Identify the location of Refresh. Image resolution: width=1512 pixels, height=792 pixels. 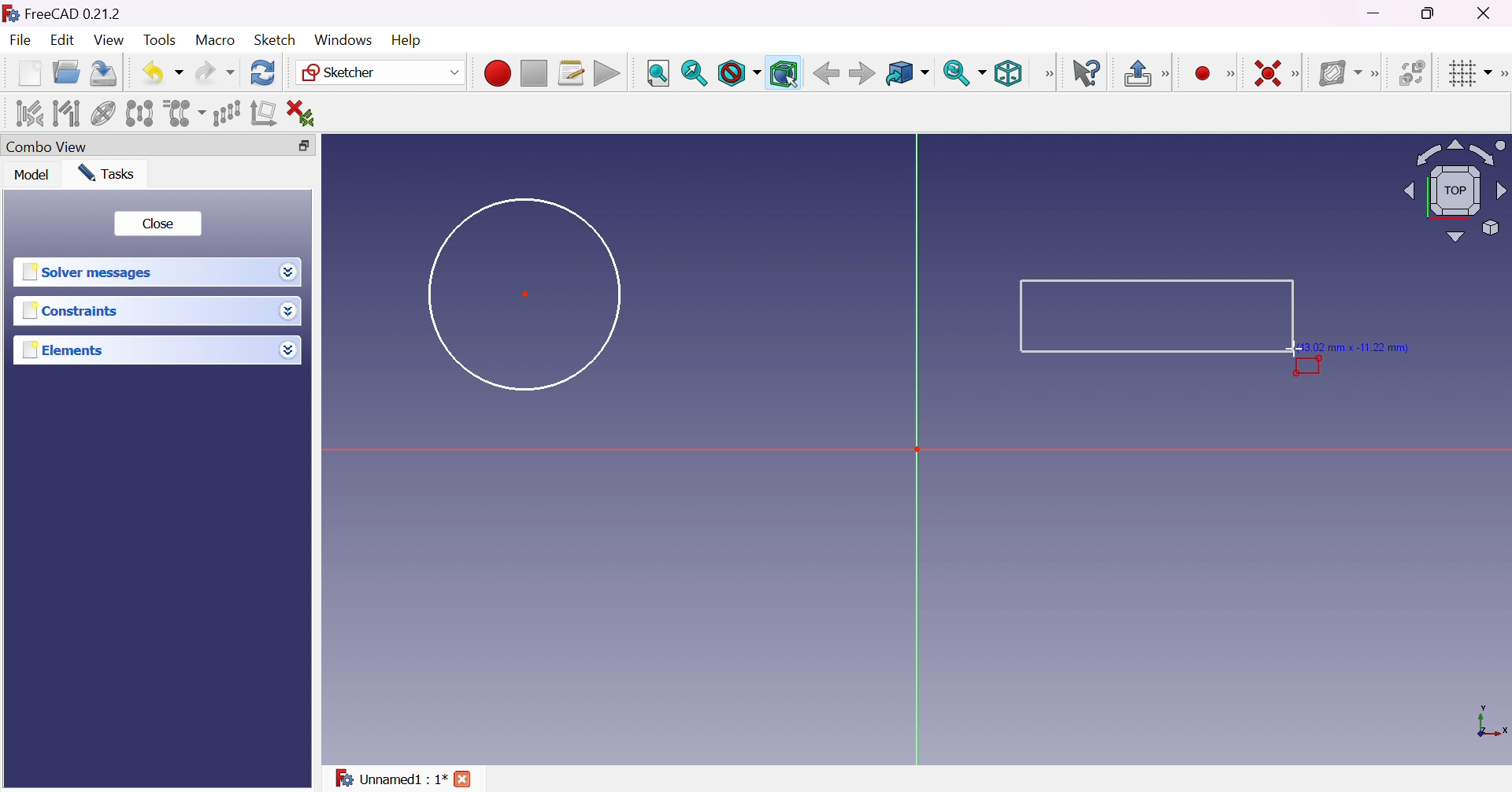
(263, 72).